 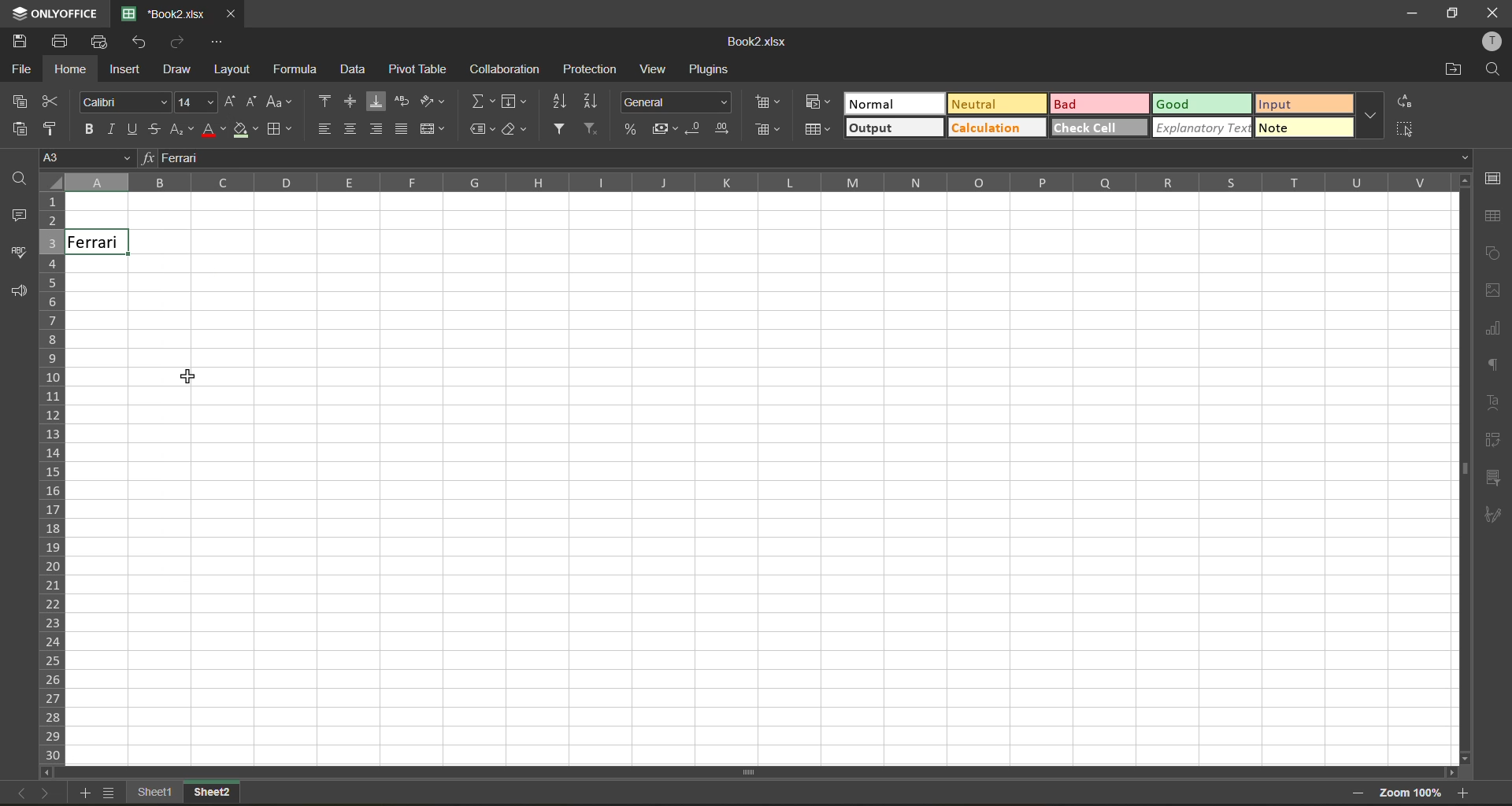 What do you see at coordinates (725, 128) in the screenshot?
I see `increase decimal` at bounding box center [725, 128].